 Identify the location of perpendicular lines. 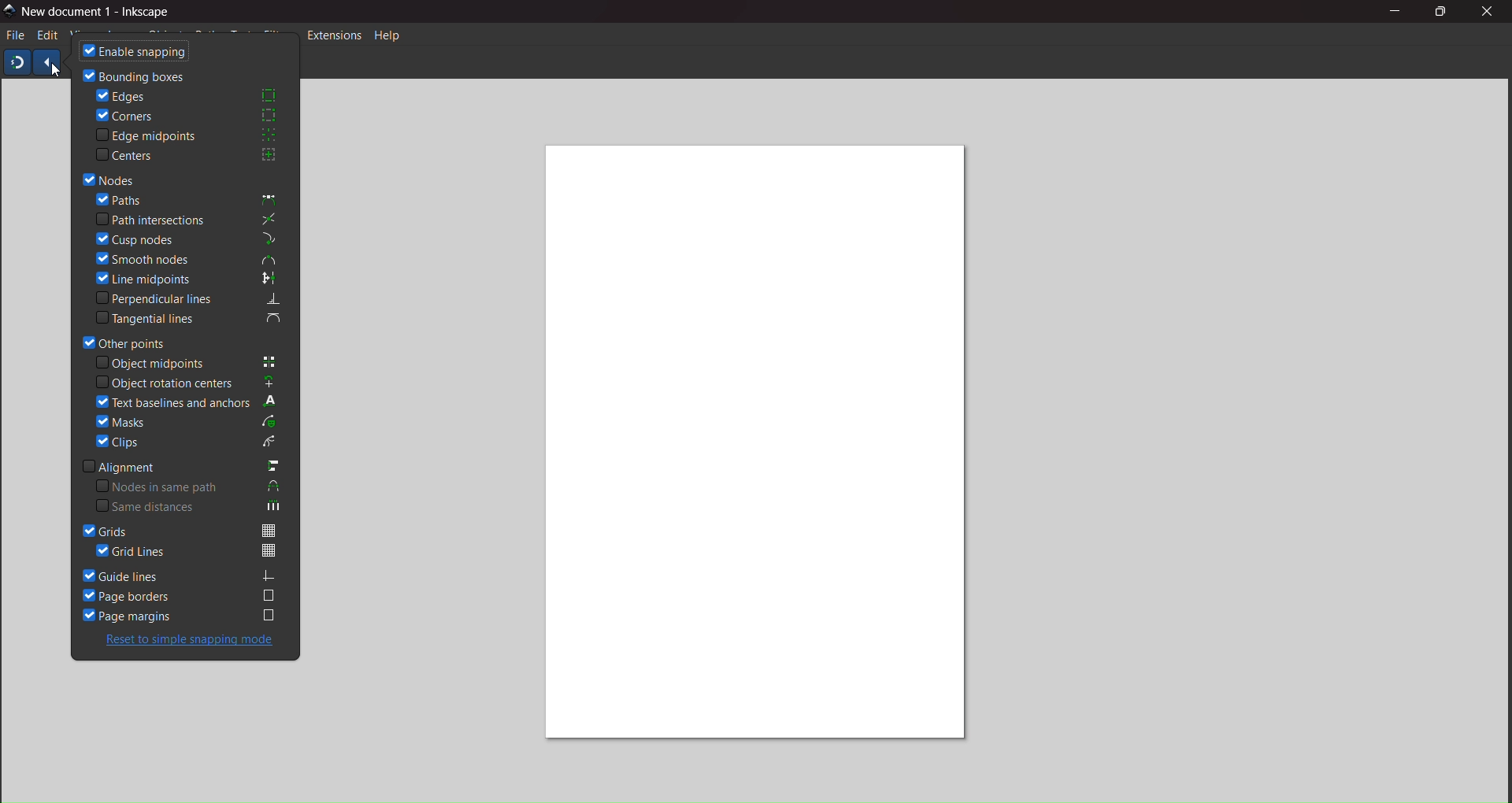
(193, 298).